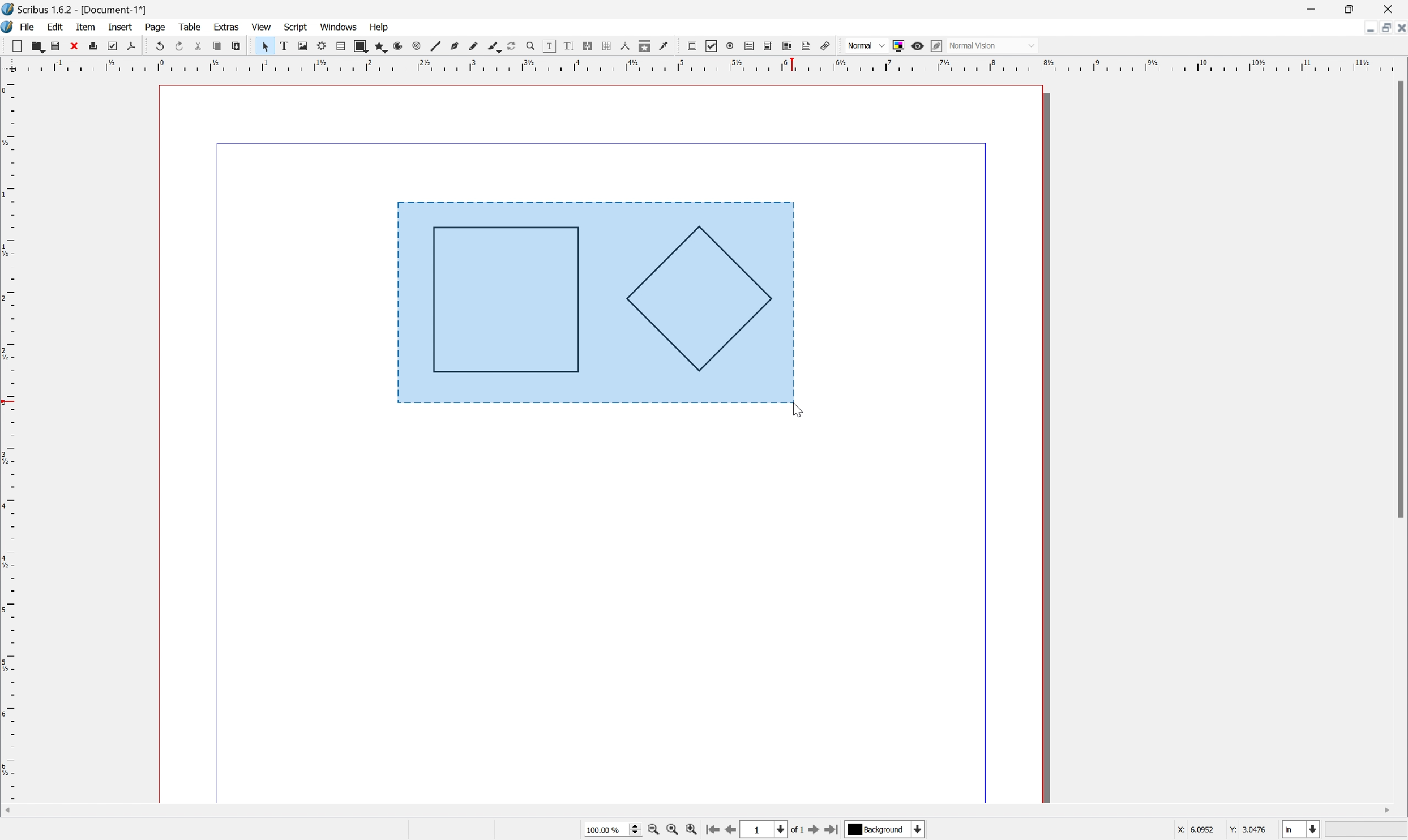 The image size is (1408, 840). What do you see at coordinates (805, 46) in the screenshot?
I see `Text annotation` at bounding box center [805, 46].